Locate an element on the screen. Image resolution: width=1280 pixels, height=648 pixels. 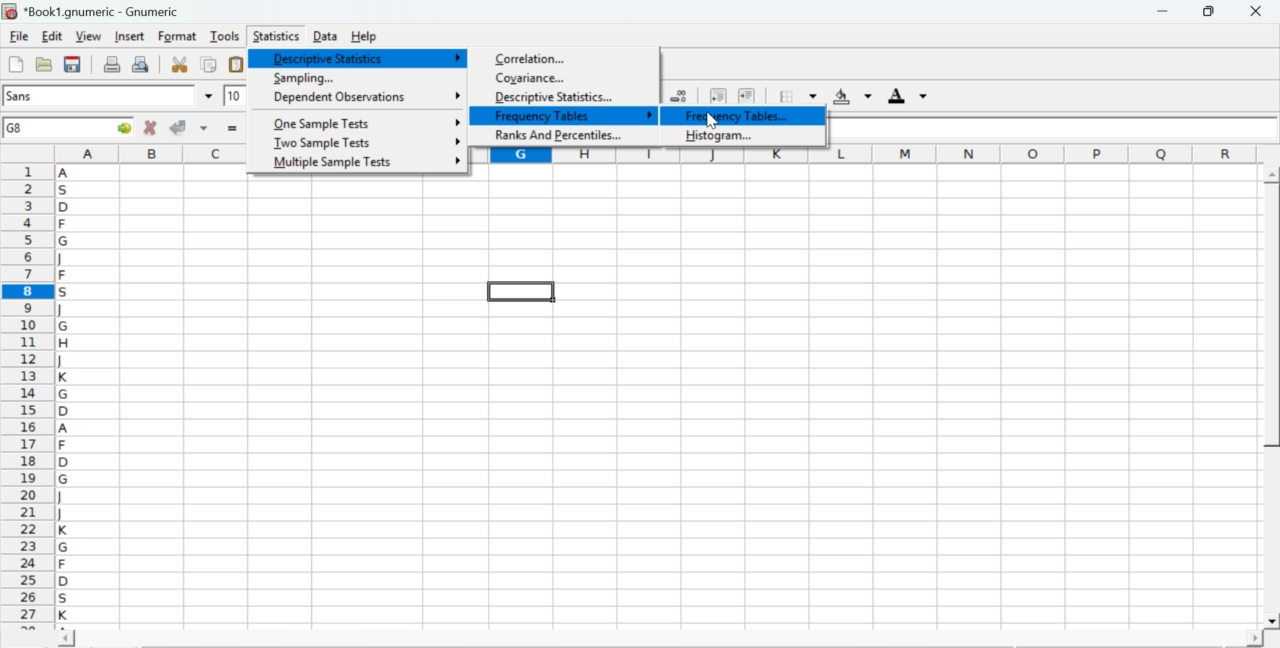
accept changes across selection is located at coordinates (203, 127).